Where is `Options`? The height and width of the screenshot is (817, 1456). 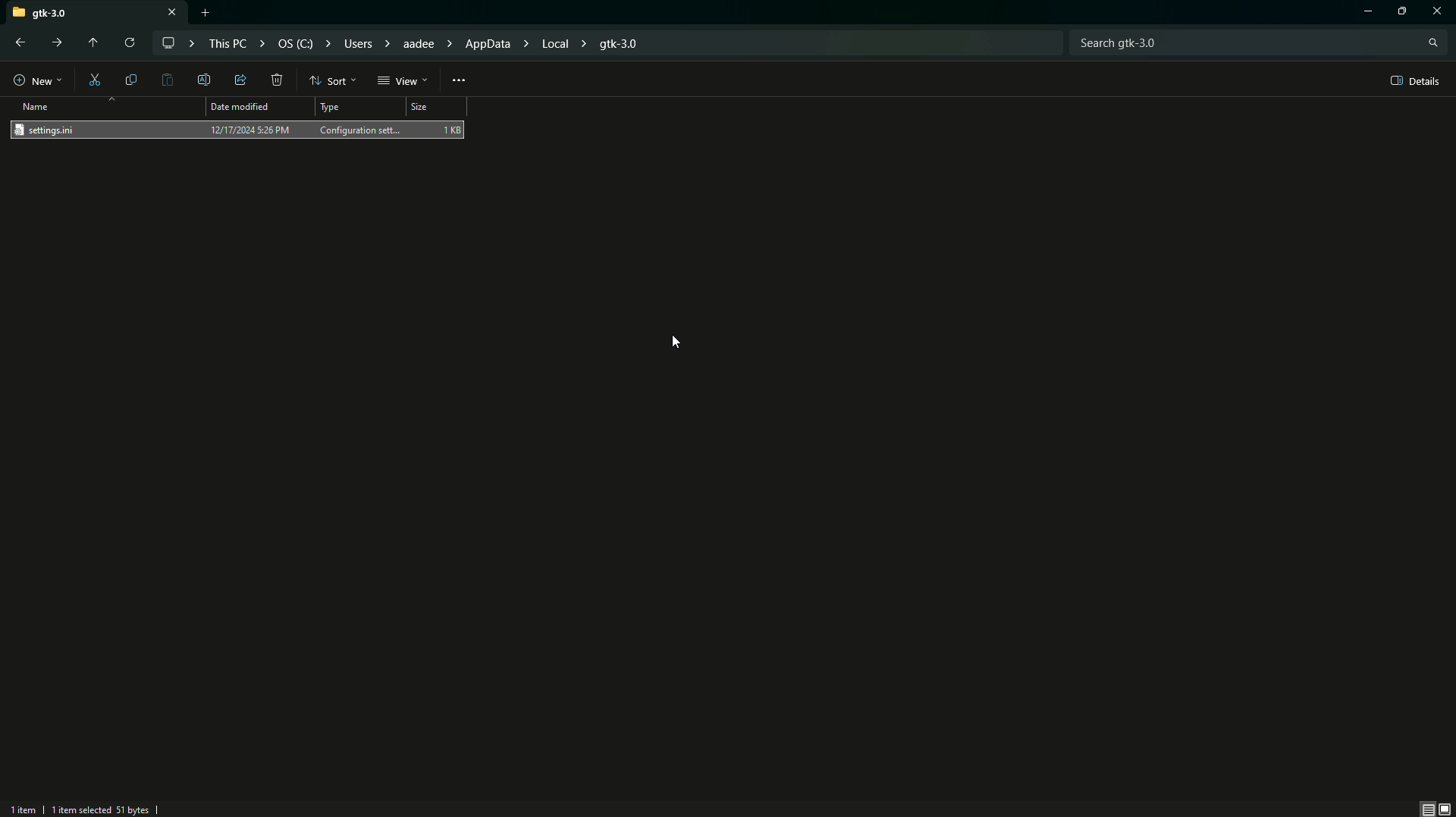
Options is located at coordinates (1404, 11).